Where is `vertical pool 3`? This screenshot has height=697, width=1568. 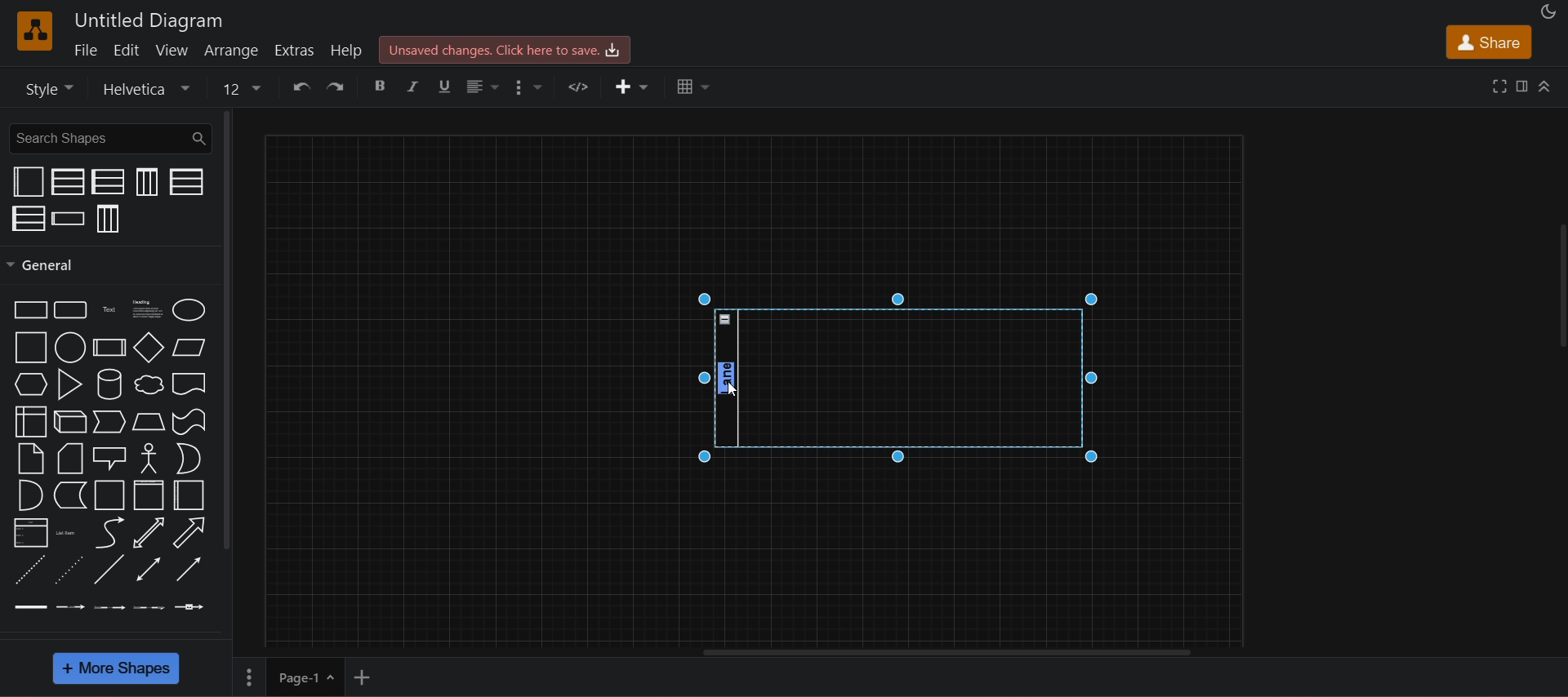 vertical pool 3 is located at coordinates (109, 219).